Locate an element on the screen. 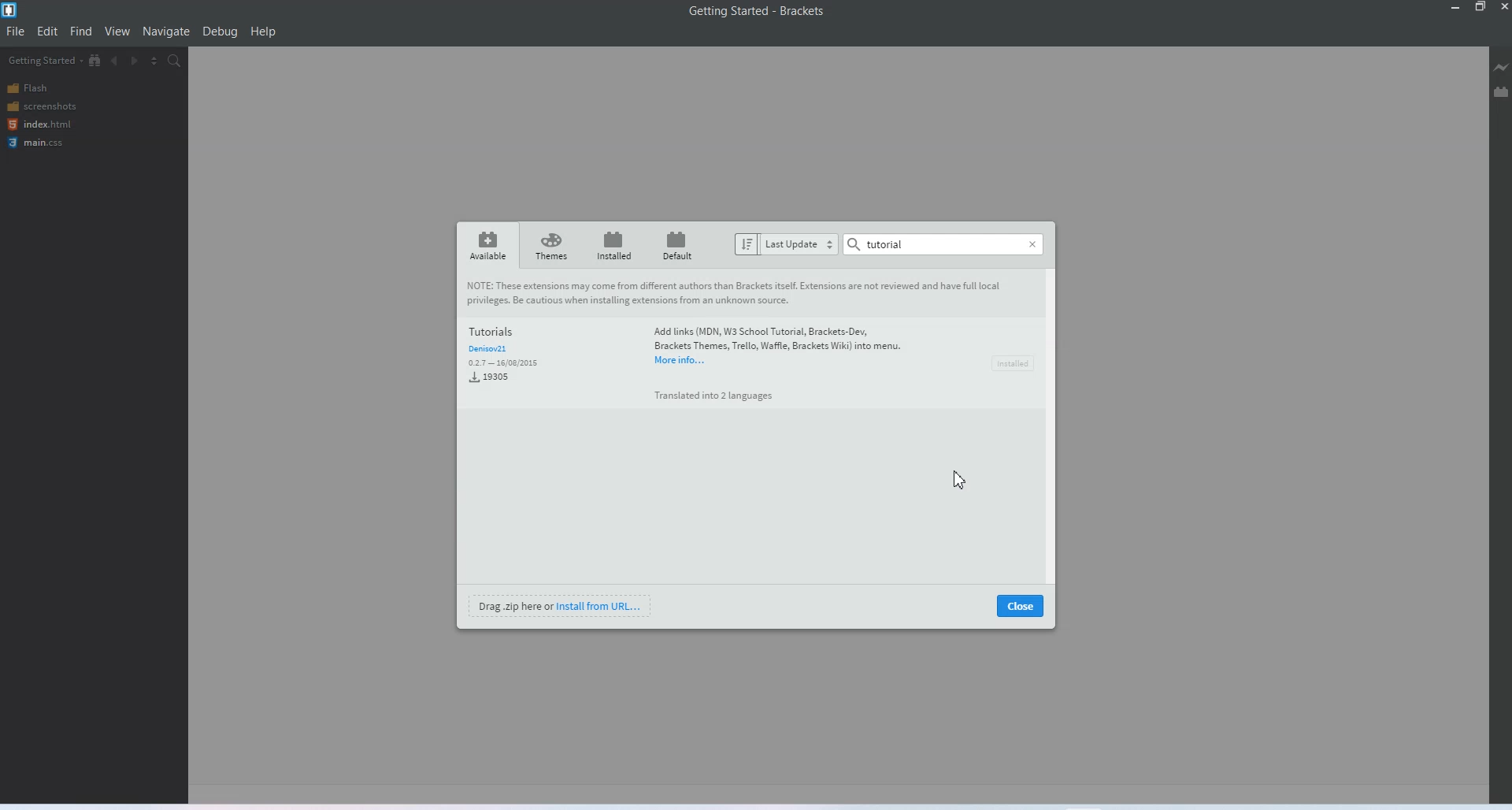 The image size is (1512, 810). Maximize is located at coordinates (1481, 7).